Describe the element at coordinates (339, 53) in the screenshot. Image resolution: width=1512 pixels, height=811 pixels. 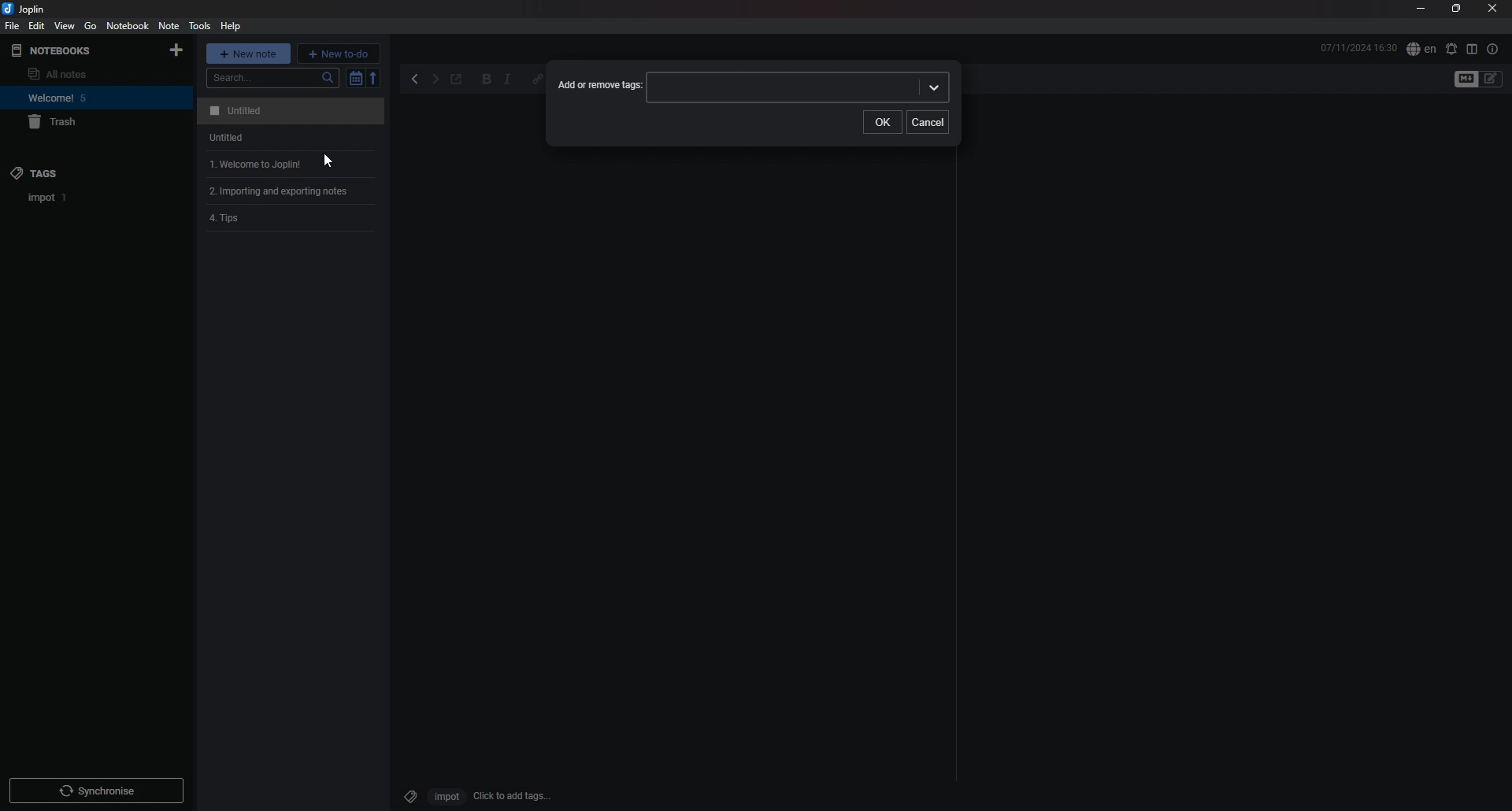
I see `new todo` at that location.